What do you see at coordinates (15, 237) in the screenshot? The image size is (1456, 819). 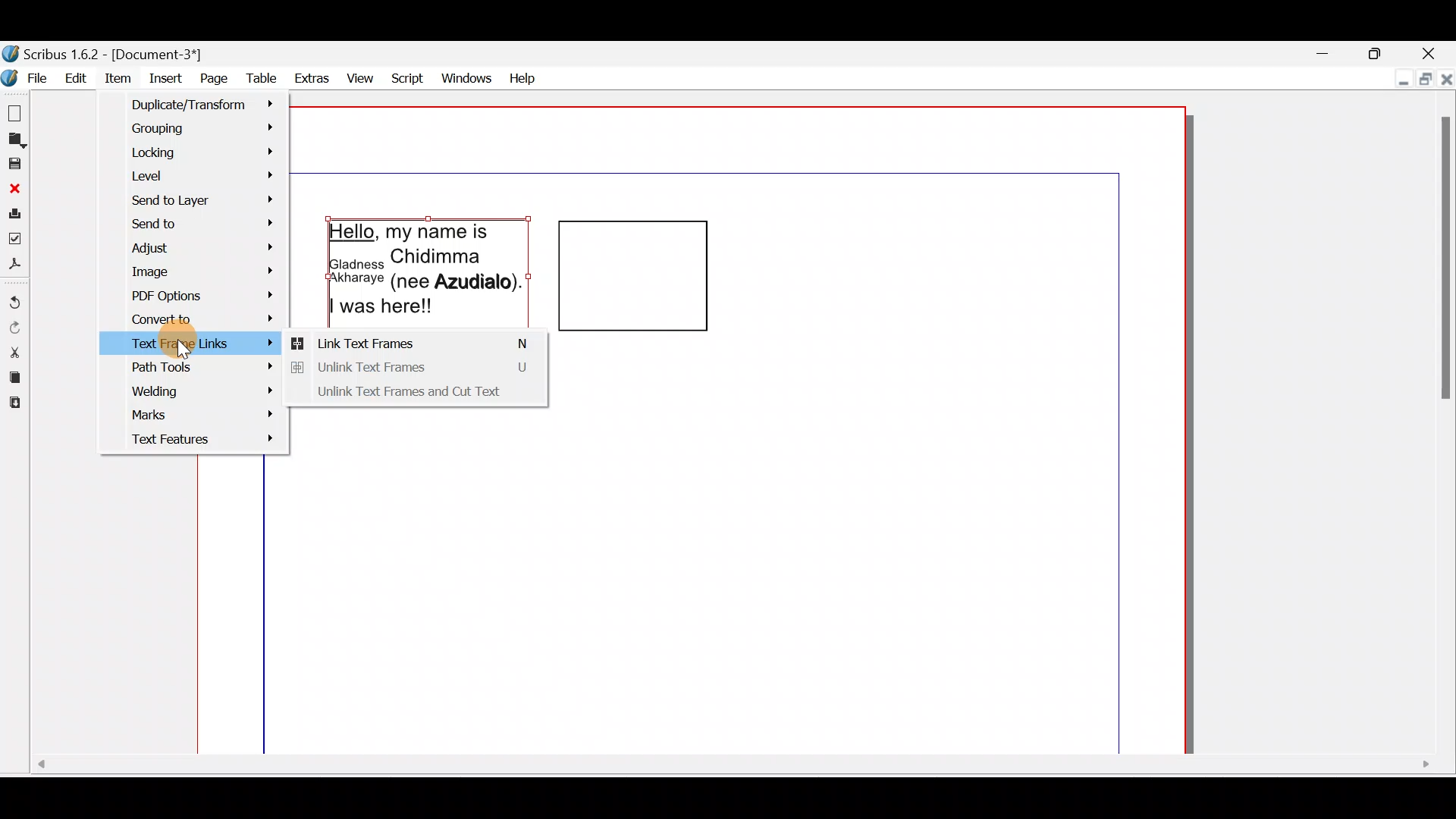 I see `Preflight verifier` at bounding box center [15, 237].